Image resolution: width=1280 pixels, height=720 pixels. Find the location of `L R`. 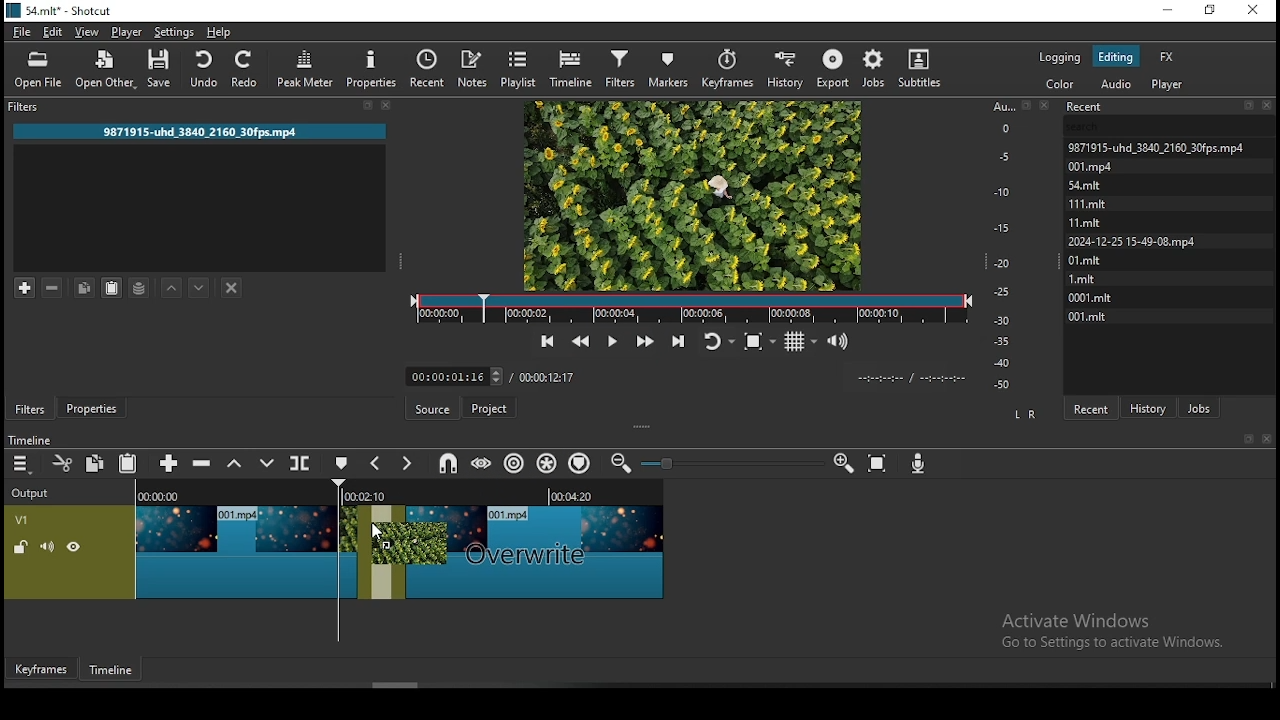

L R is located at coordinates (1026, 416).